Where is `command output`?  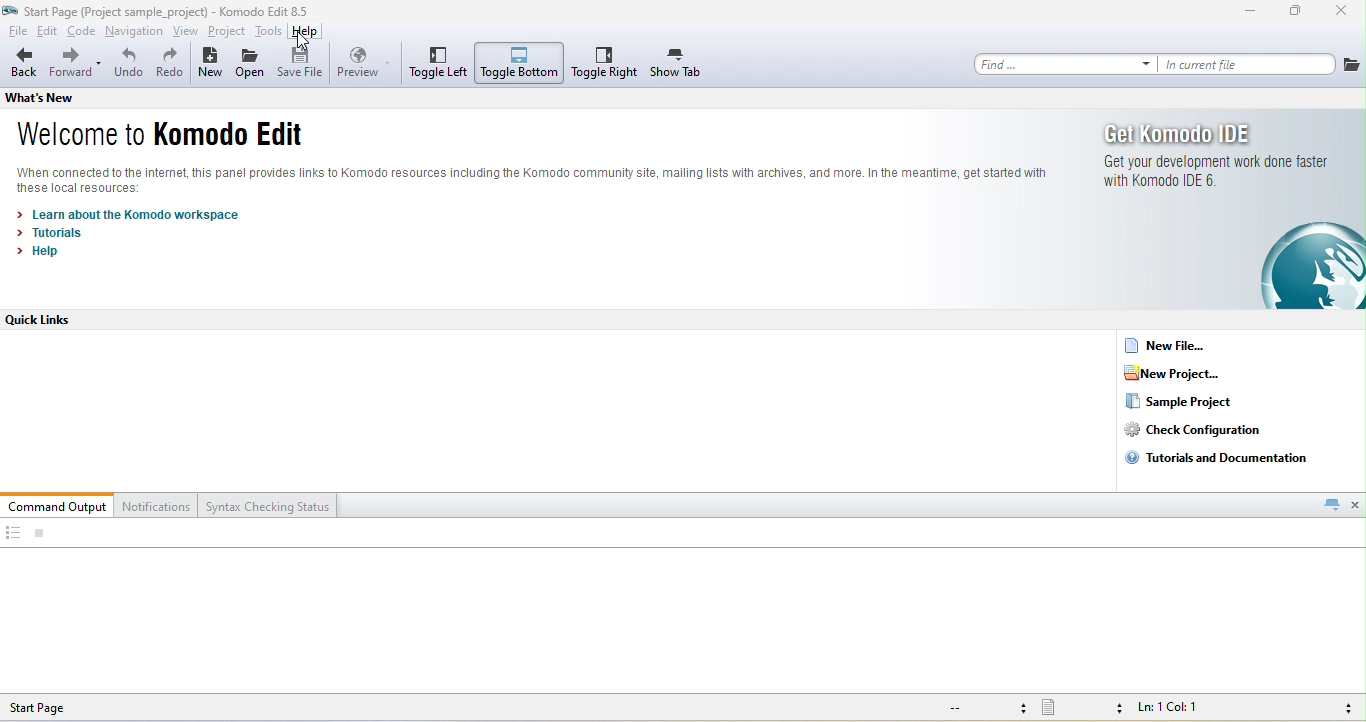 command output is located at coordinates (58, 505).